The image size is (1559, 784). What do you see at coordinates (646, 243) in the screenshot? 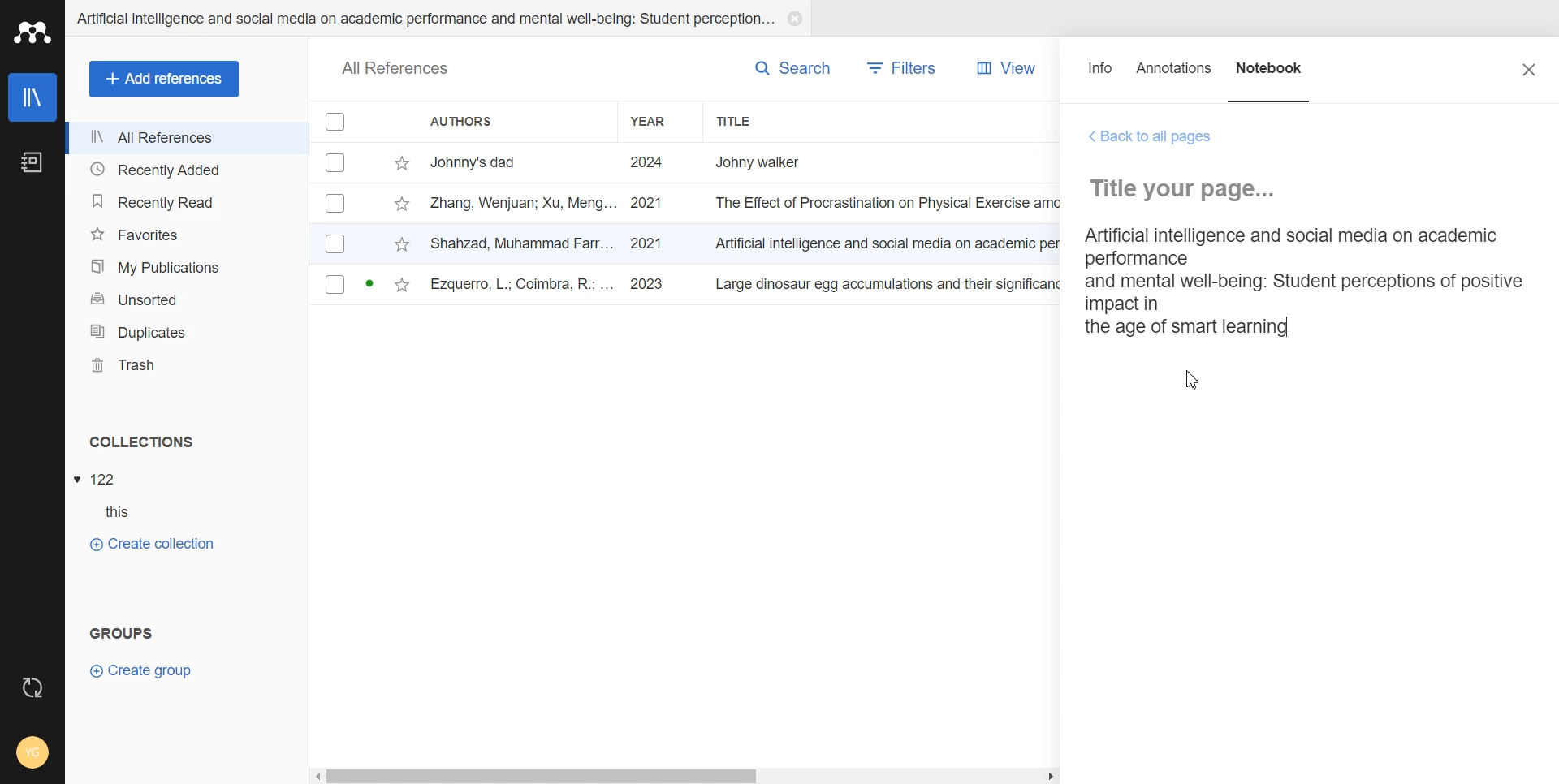
I see `2021` at bounding box center [646, 243].